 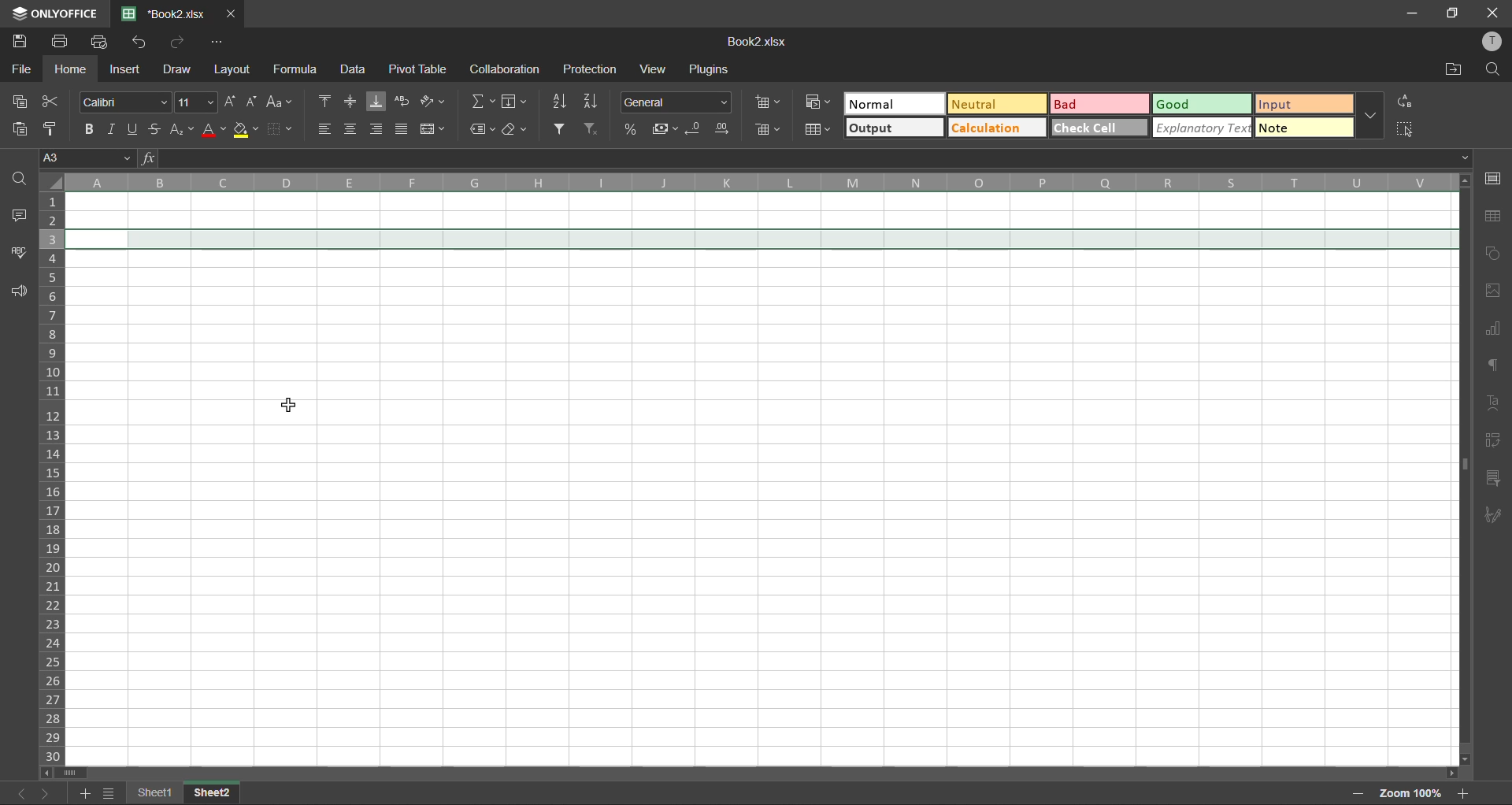 I want to click on explanatory text, so click(x=1200, y=129).